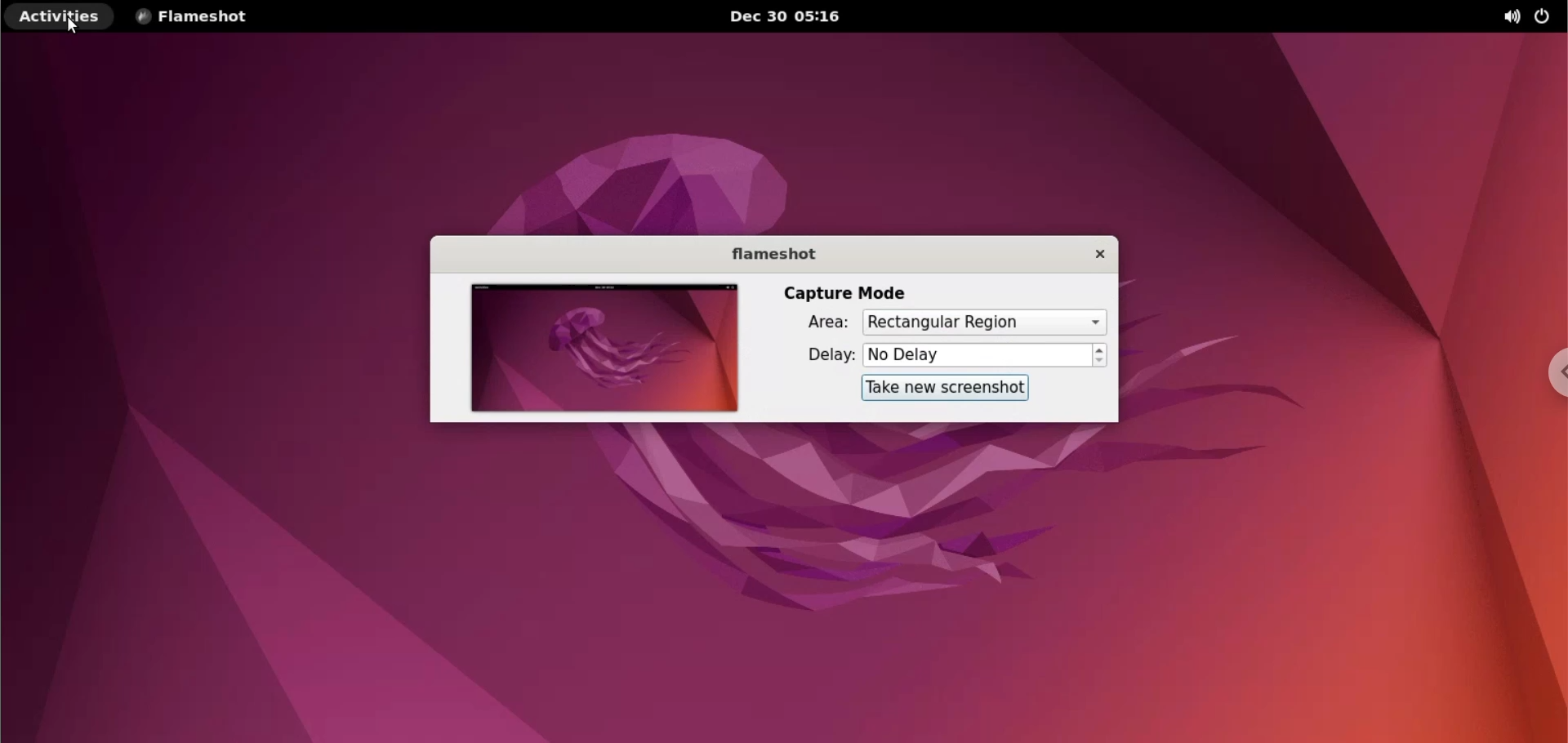 This screenshot has height=743, width=1568. What do you see at coordinates (825, 358) in the screenshot?
I see `delay:` at bounding box center [825, 358].